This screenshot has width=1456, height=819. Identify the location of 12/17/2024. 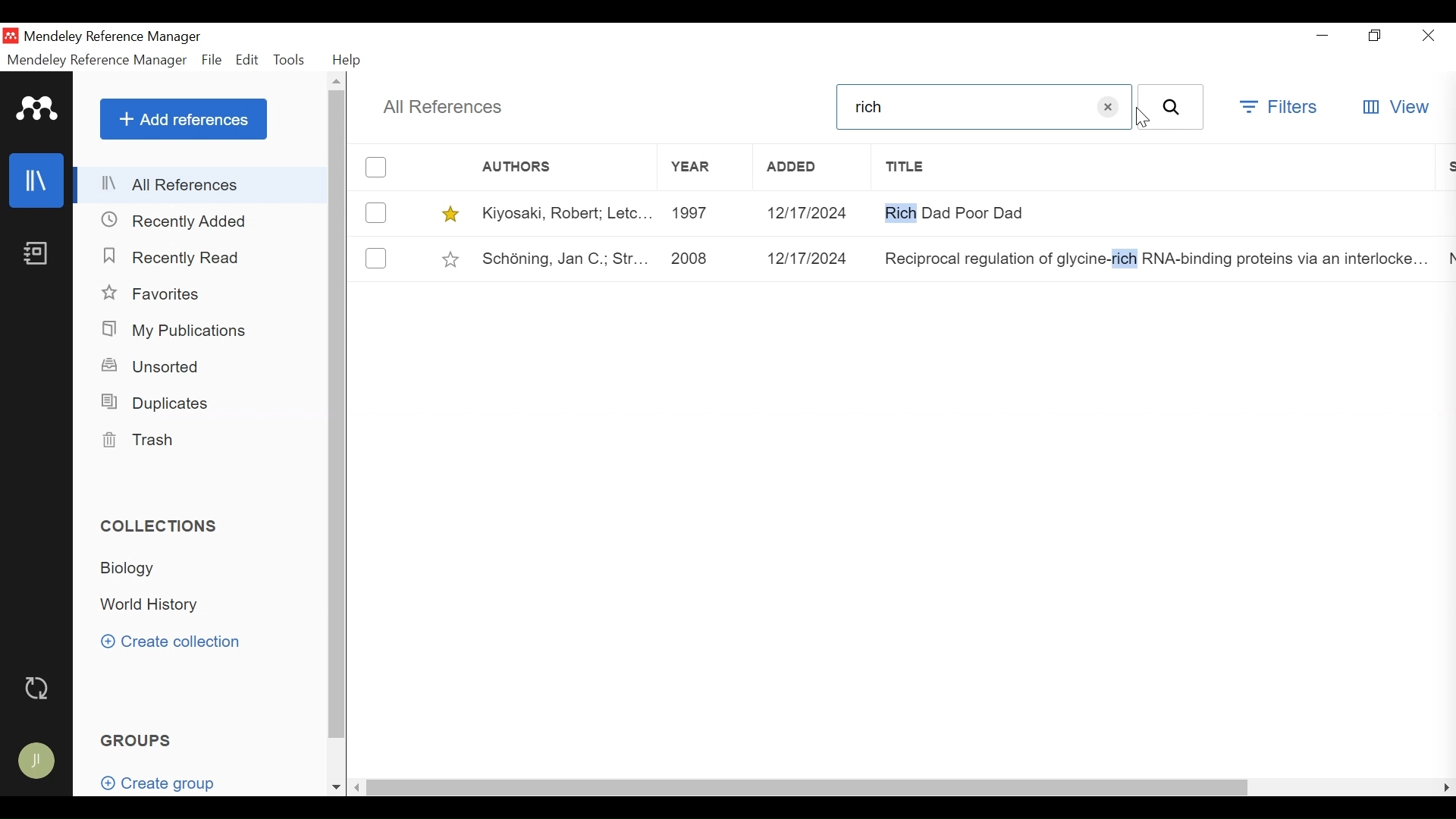
(811, 257).